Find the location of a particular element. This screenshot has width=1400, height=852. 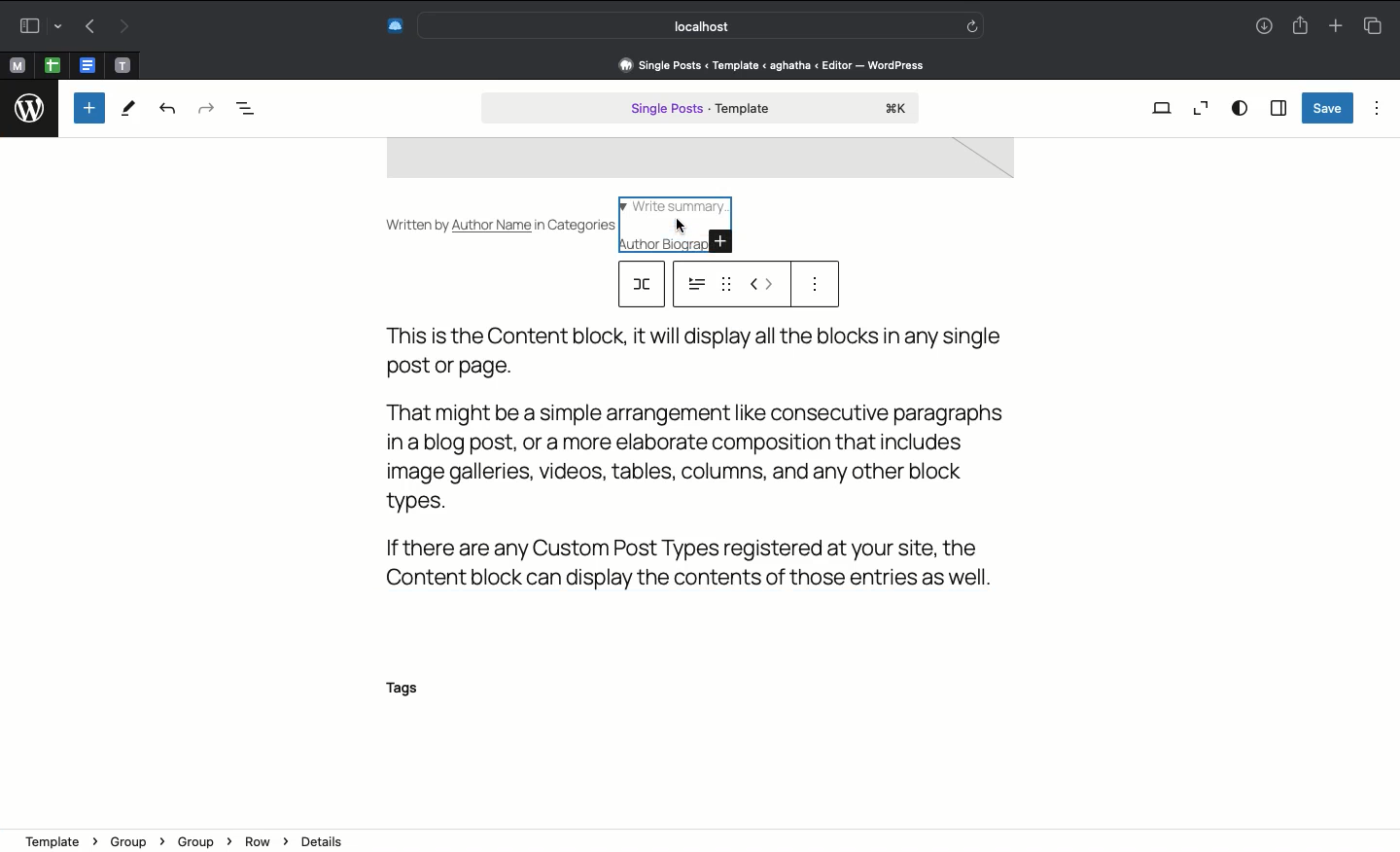

Sidebar is located at coordinates (1277, 109).